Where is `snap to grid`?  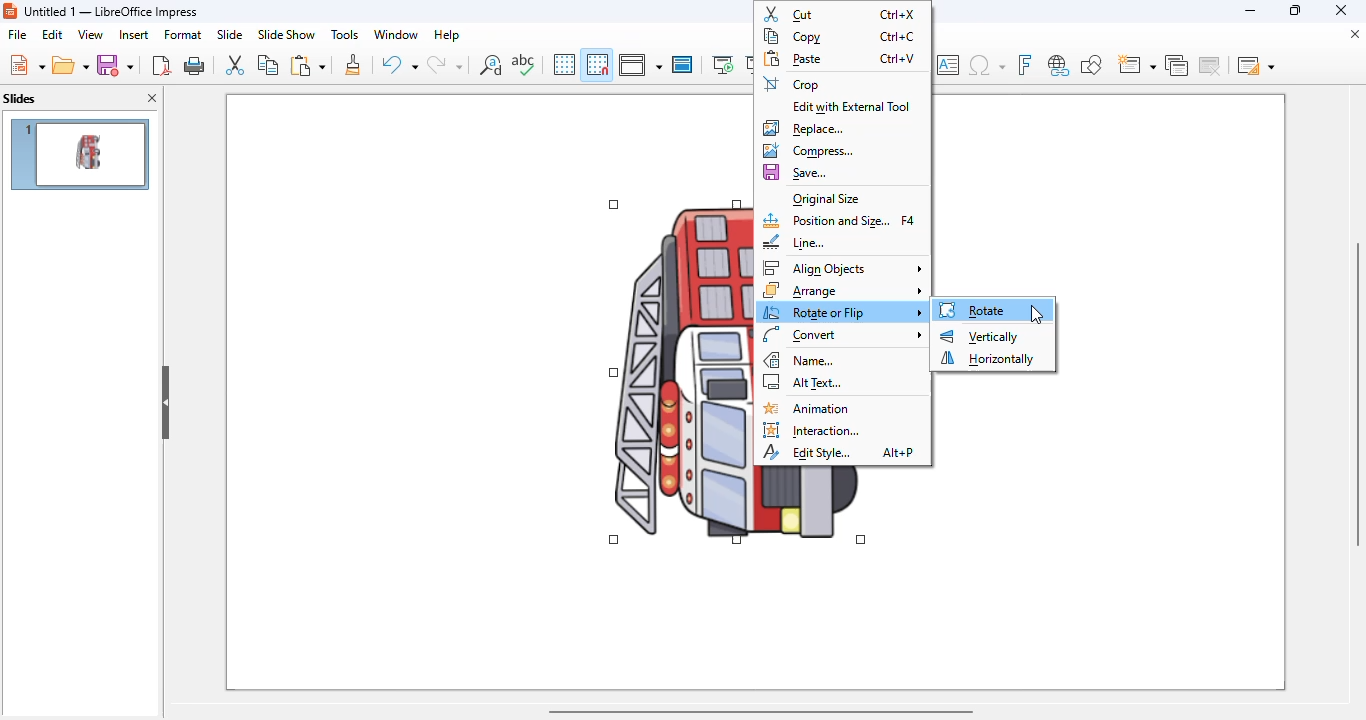 snap to grid is located at coordinates (598, 64).